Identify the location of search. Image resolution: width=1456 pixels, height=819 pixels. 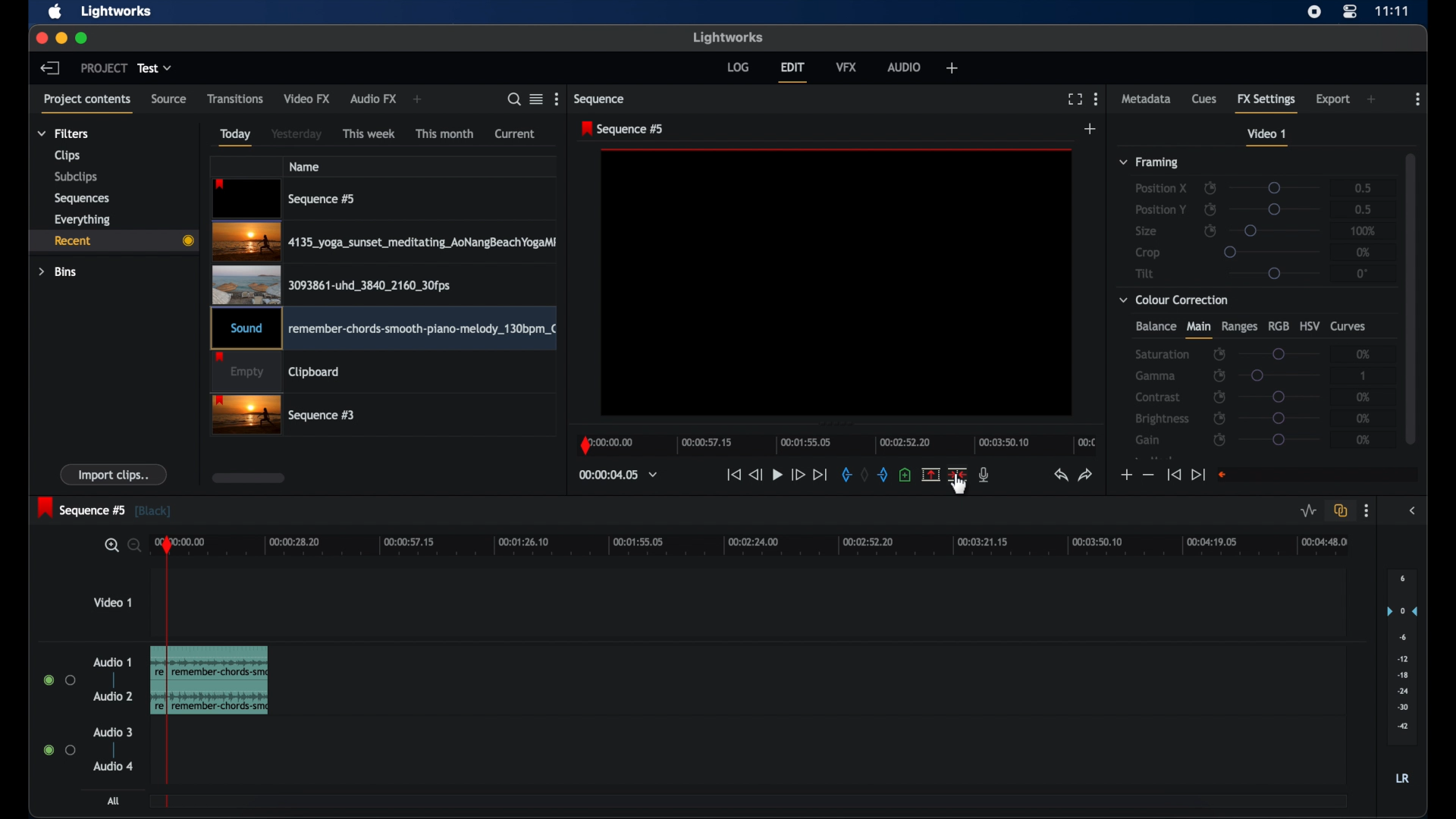
(514, 99).